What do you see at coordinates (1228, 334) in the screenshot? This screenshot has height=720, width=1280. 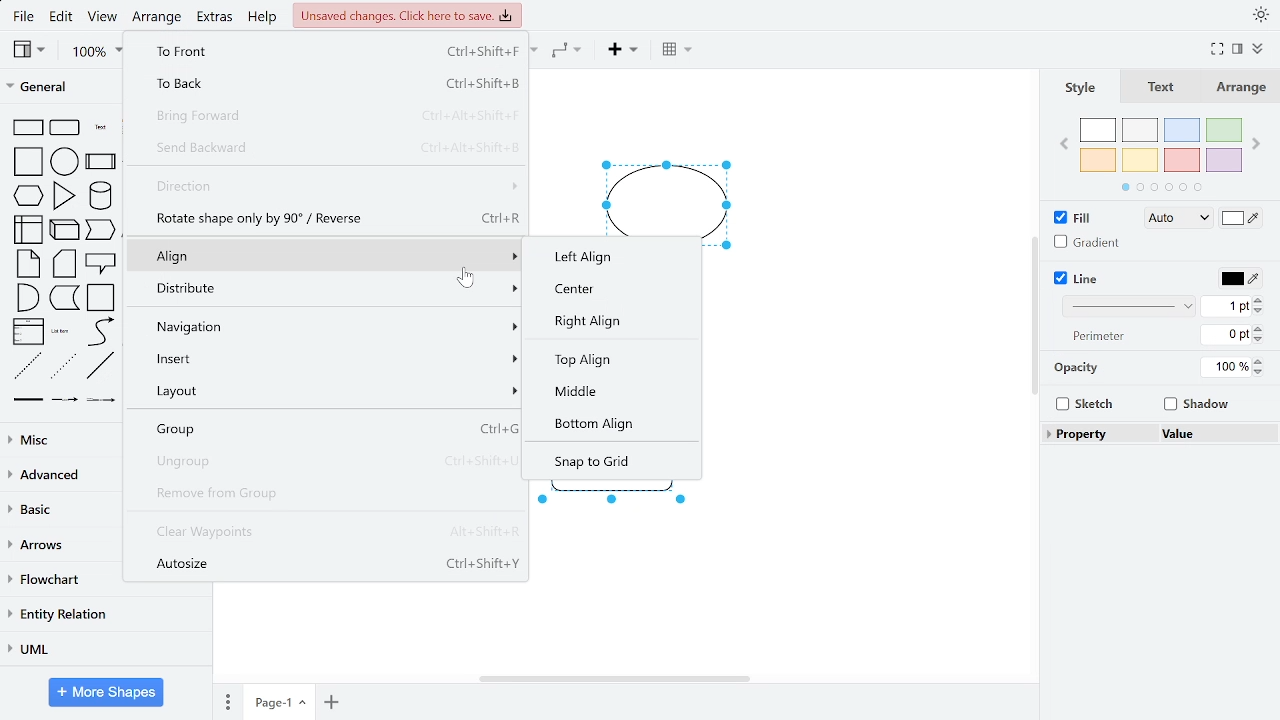 I see `0 pt` at bounding box center [1228, 334].